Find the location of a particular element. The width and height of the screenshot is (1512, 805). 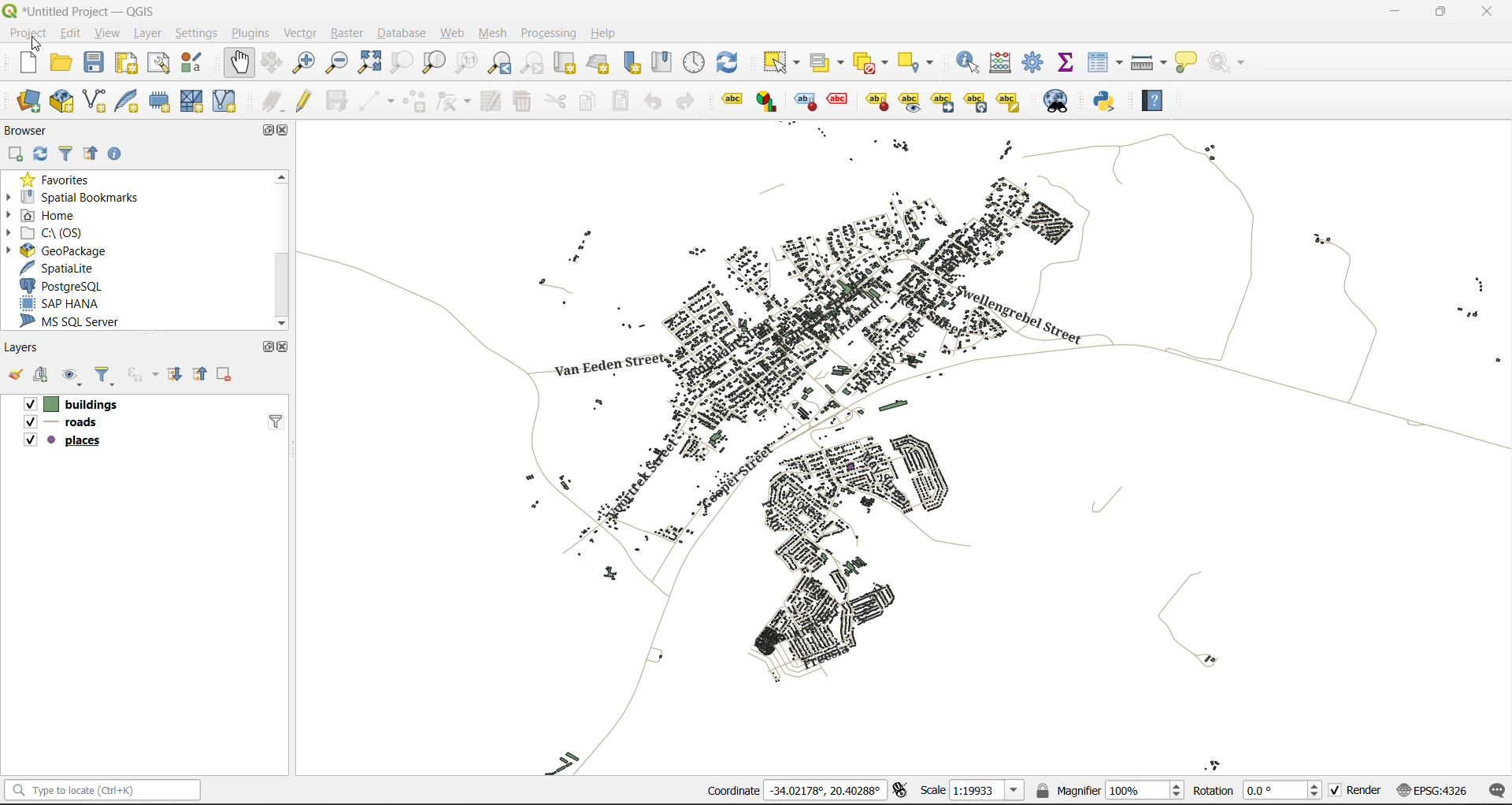

zoom next is located at coordinates (533, 62).